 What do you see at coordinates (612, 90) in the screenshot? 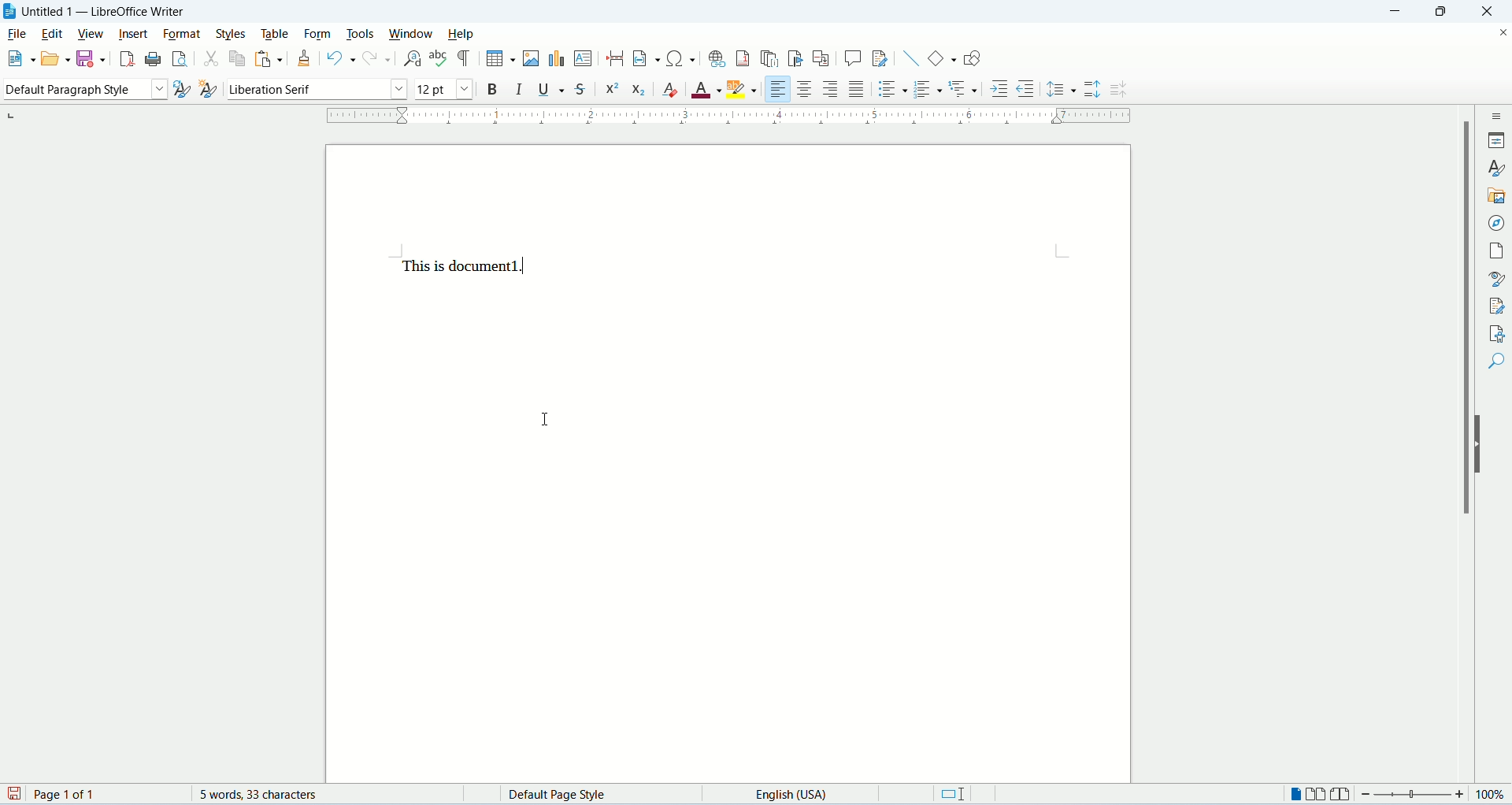
I see `superscript` at bounding box center [612, 90].